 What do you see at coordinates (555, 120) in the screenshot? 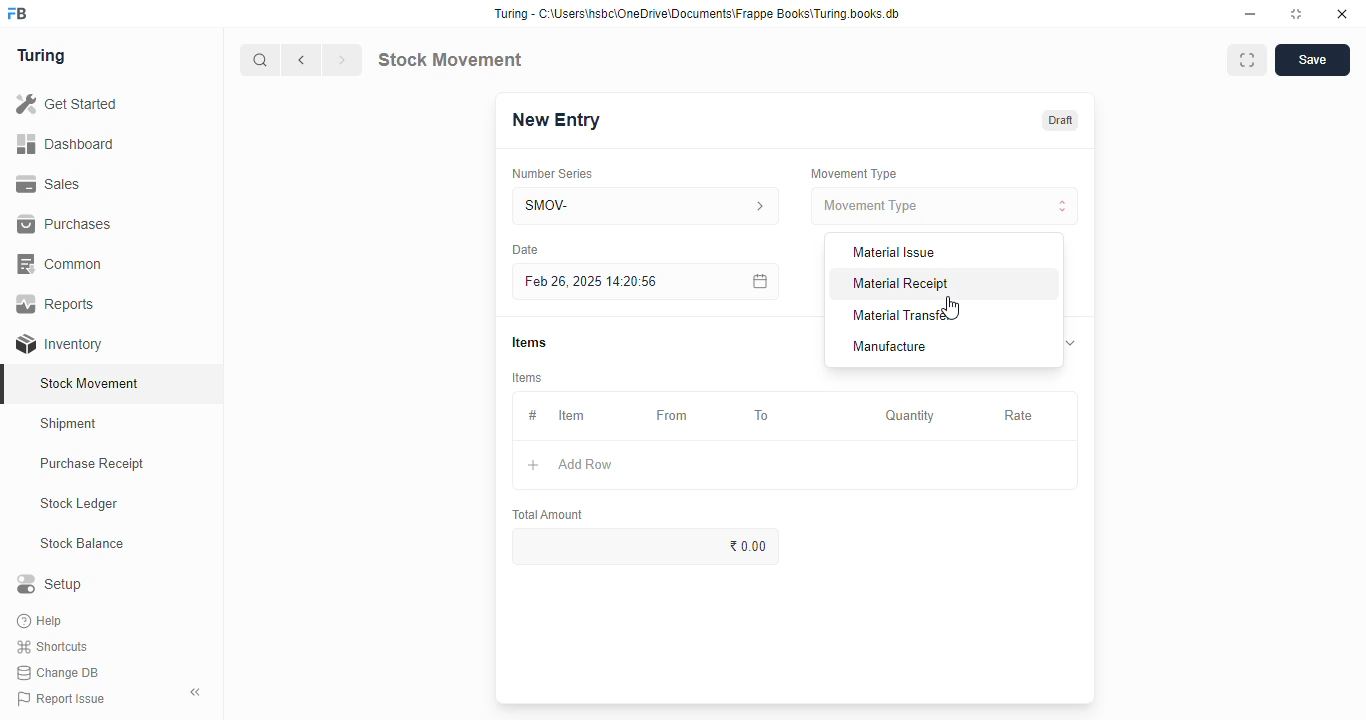
I see `new entry` at bounding box center [555, 120].